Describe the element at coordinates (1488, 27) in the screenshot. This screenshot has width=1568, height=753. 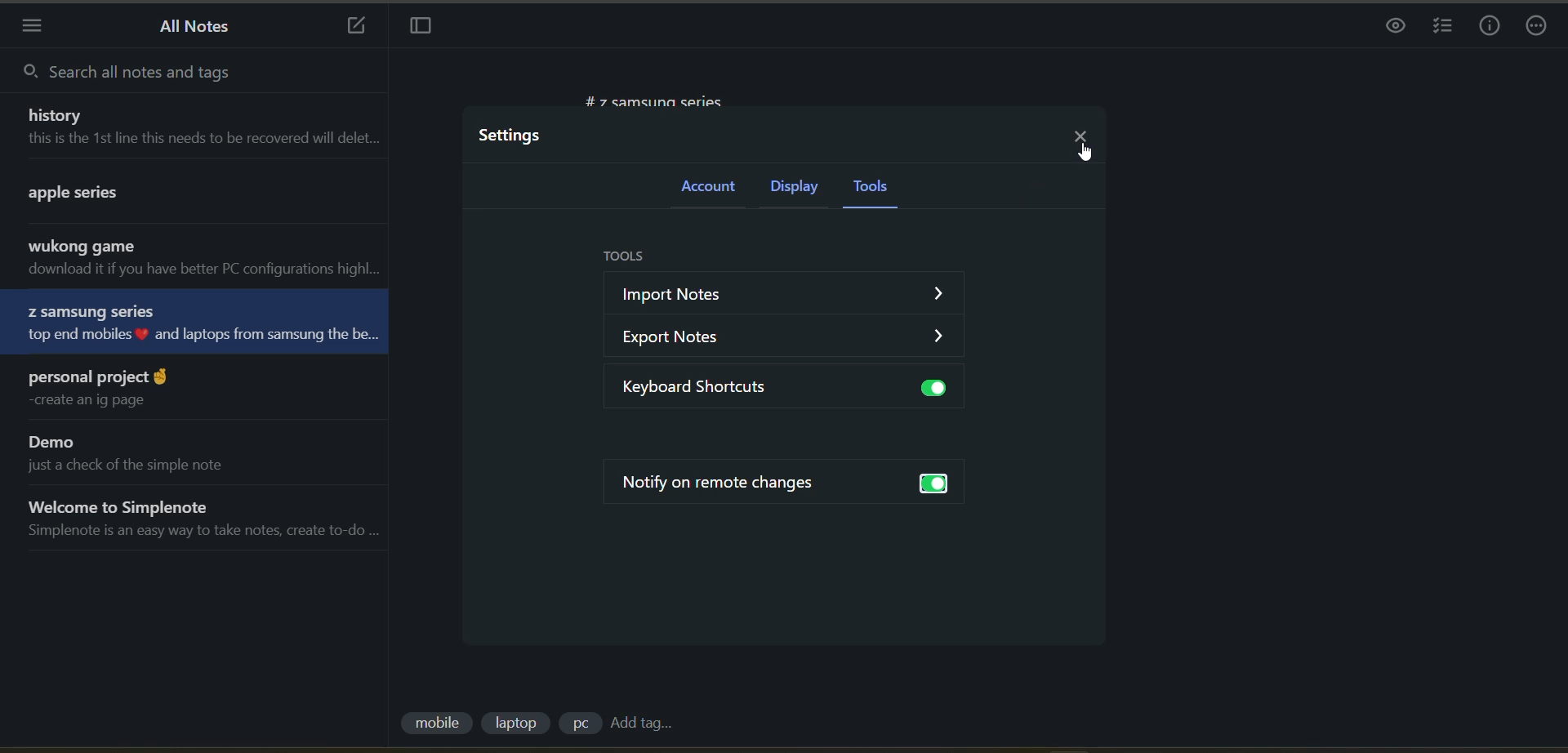
I see `info` at that location.